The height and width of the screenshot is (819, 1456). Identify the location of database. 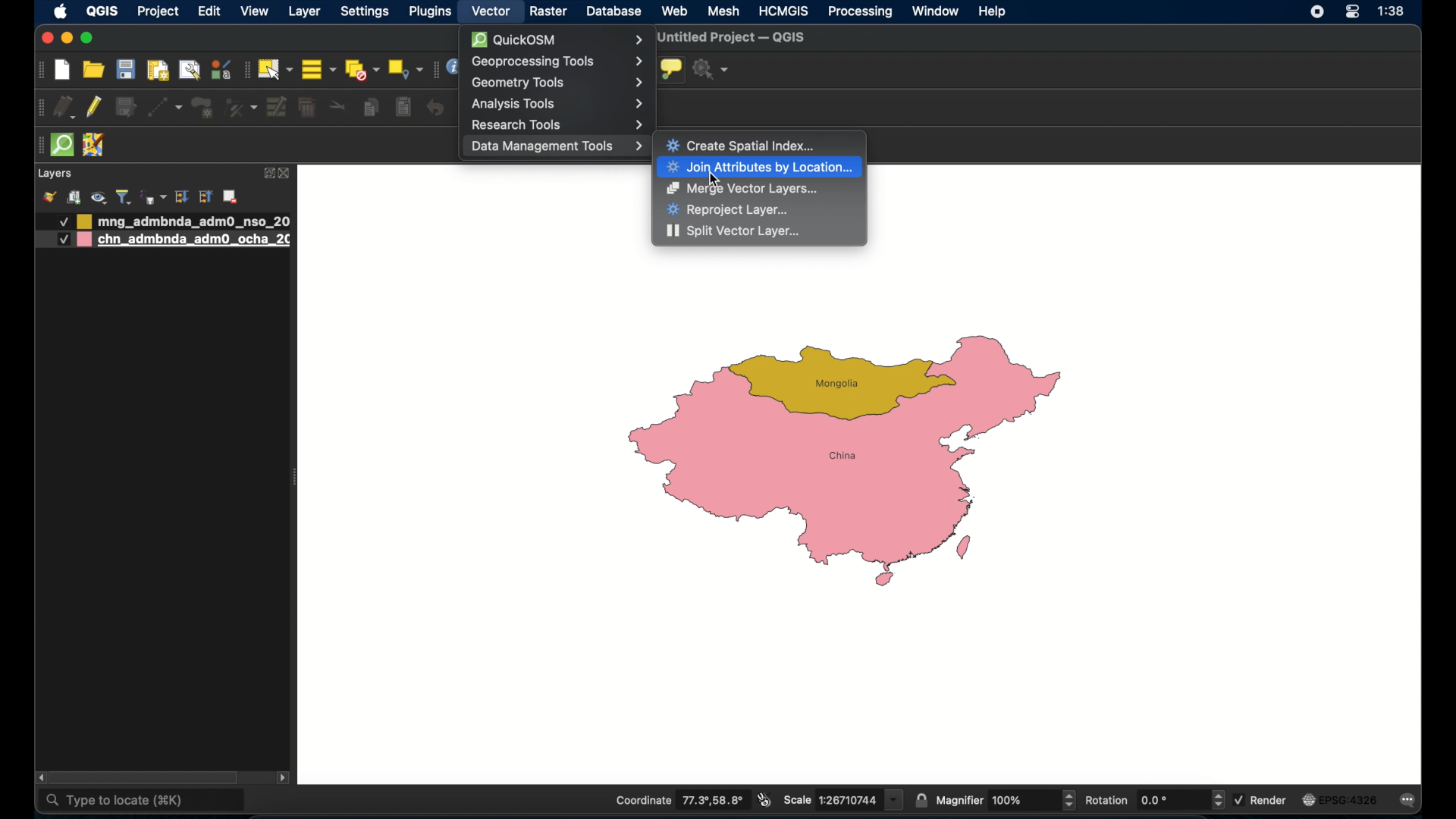
(615, 12).